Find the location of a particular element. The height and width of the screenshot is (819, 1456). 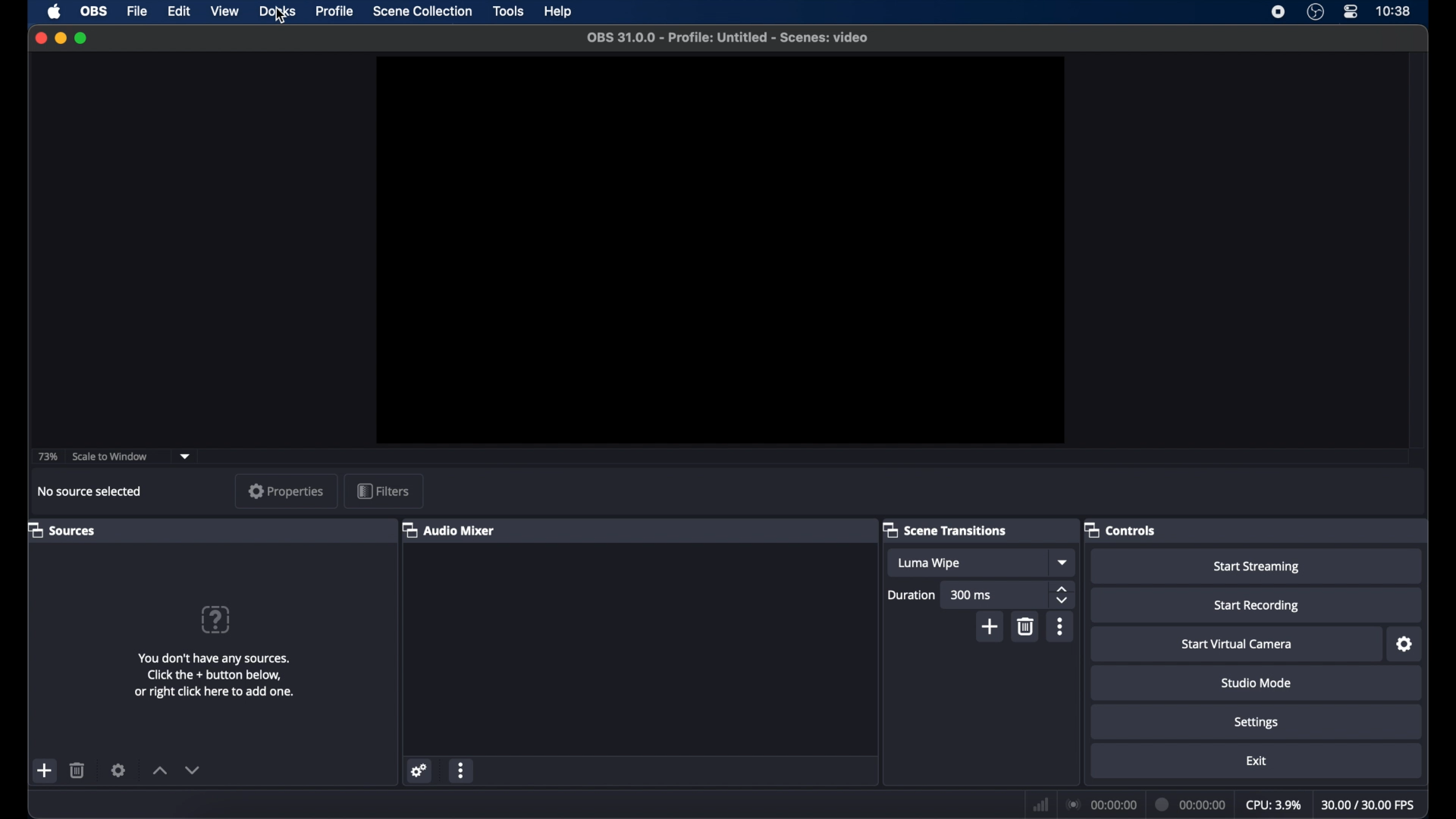

add is located at coordinates (45, 770).